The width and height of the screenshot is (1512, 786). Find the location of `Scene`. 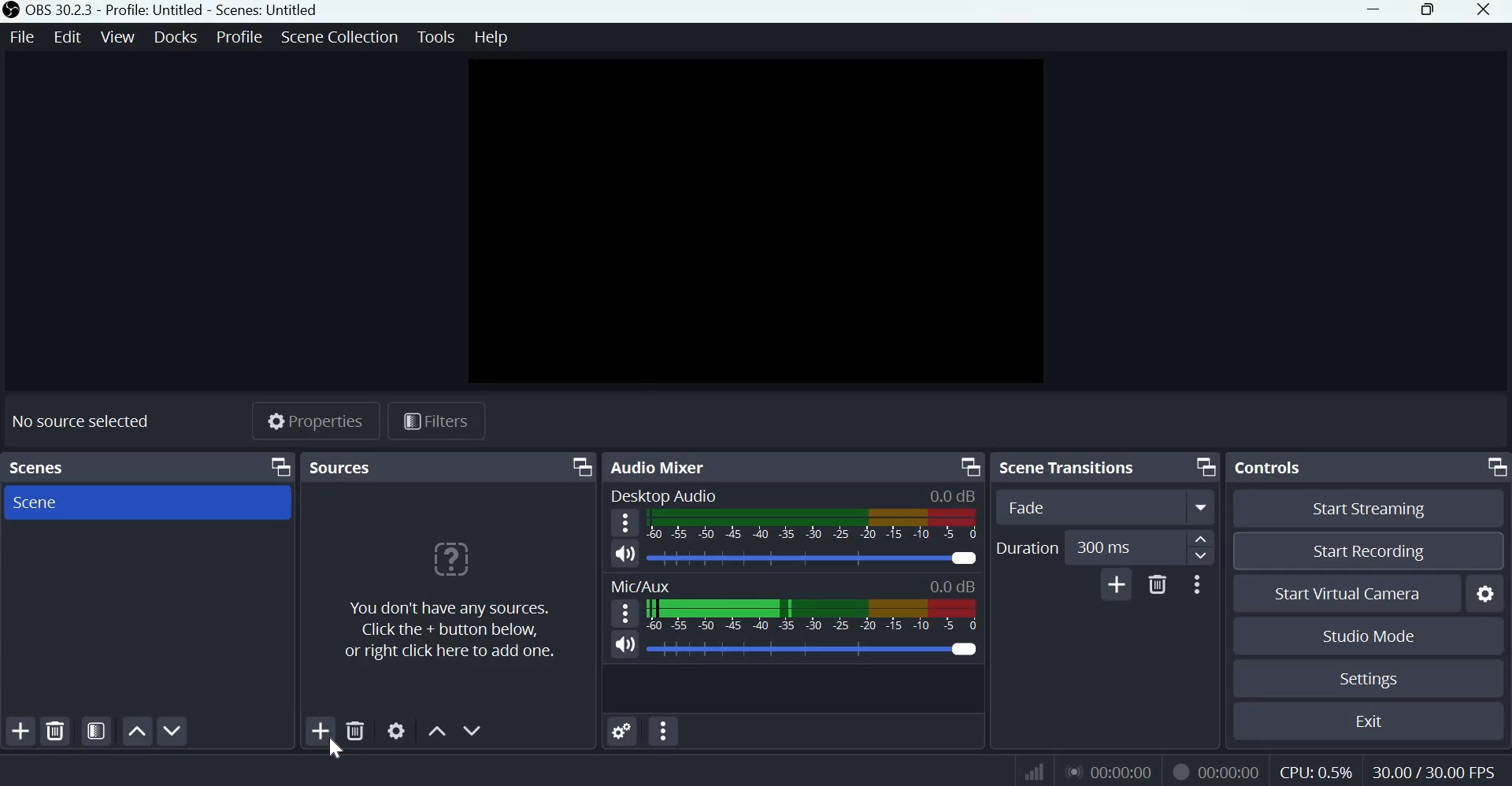

Scene is located at coordinates (46, 504).